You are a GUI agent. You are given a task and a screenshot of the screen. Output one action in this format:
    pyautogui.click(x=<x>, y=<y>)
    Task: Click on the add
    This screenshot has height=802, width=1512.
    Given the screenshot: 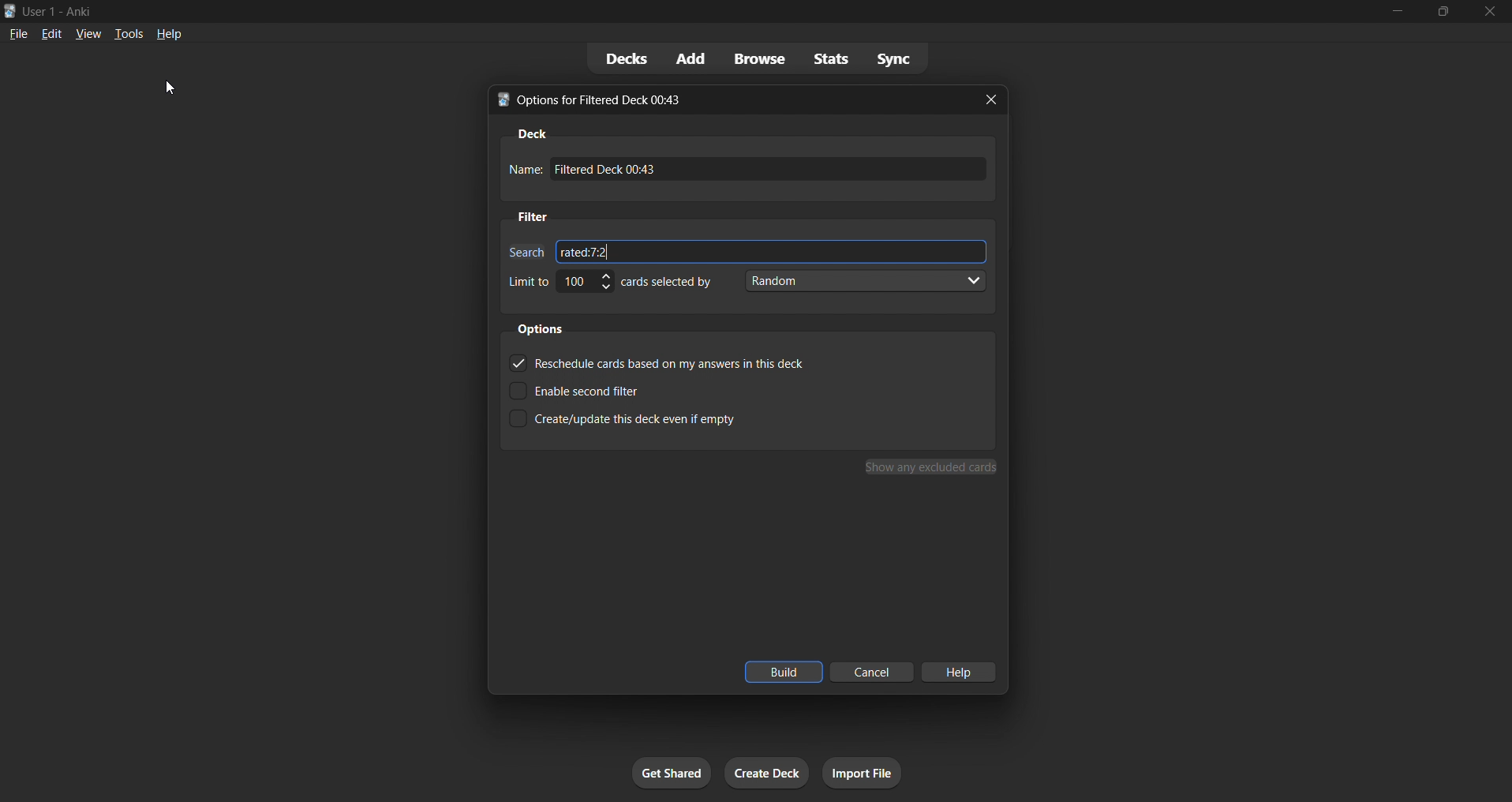 What is the action you would take?
    pyautogui.click(x=687, y=55)
    